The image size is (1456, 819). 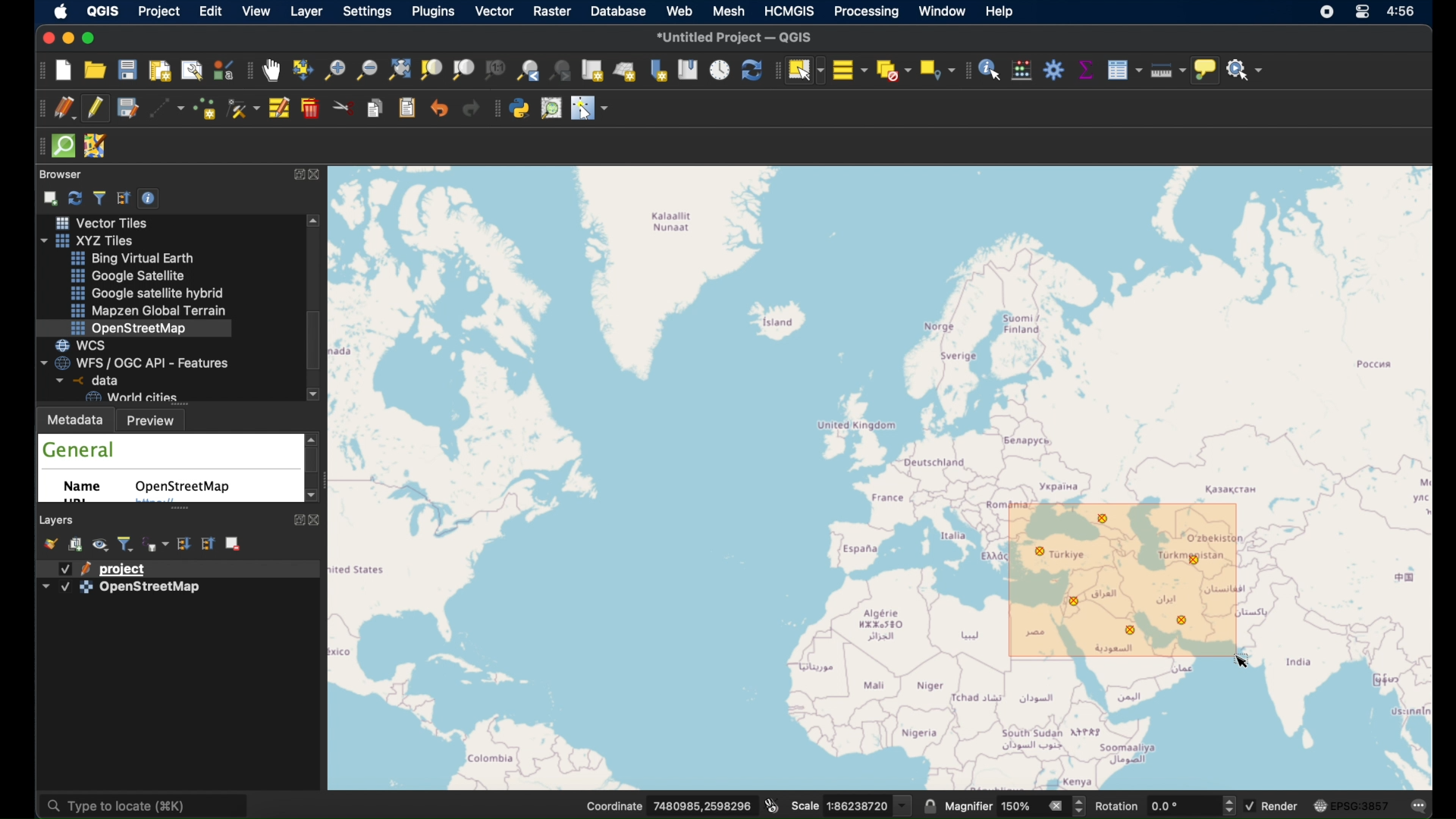 I want to click on drag handle, so click(x=39, y=146).